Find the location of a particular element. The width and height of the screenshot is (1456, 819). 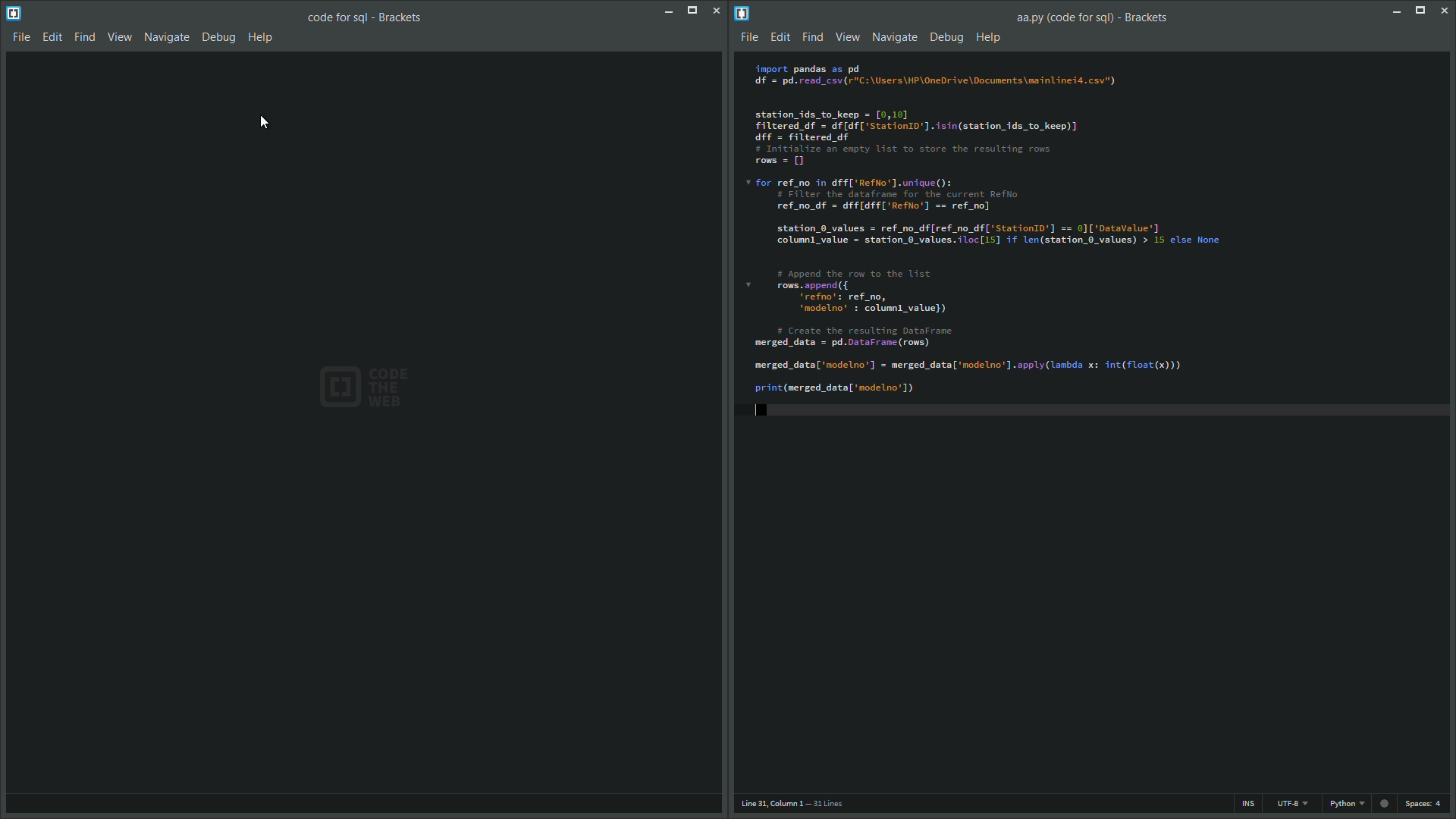

Navigate is located at coordinates (168, 38).